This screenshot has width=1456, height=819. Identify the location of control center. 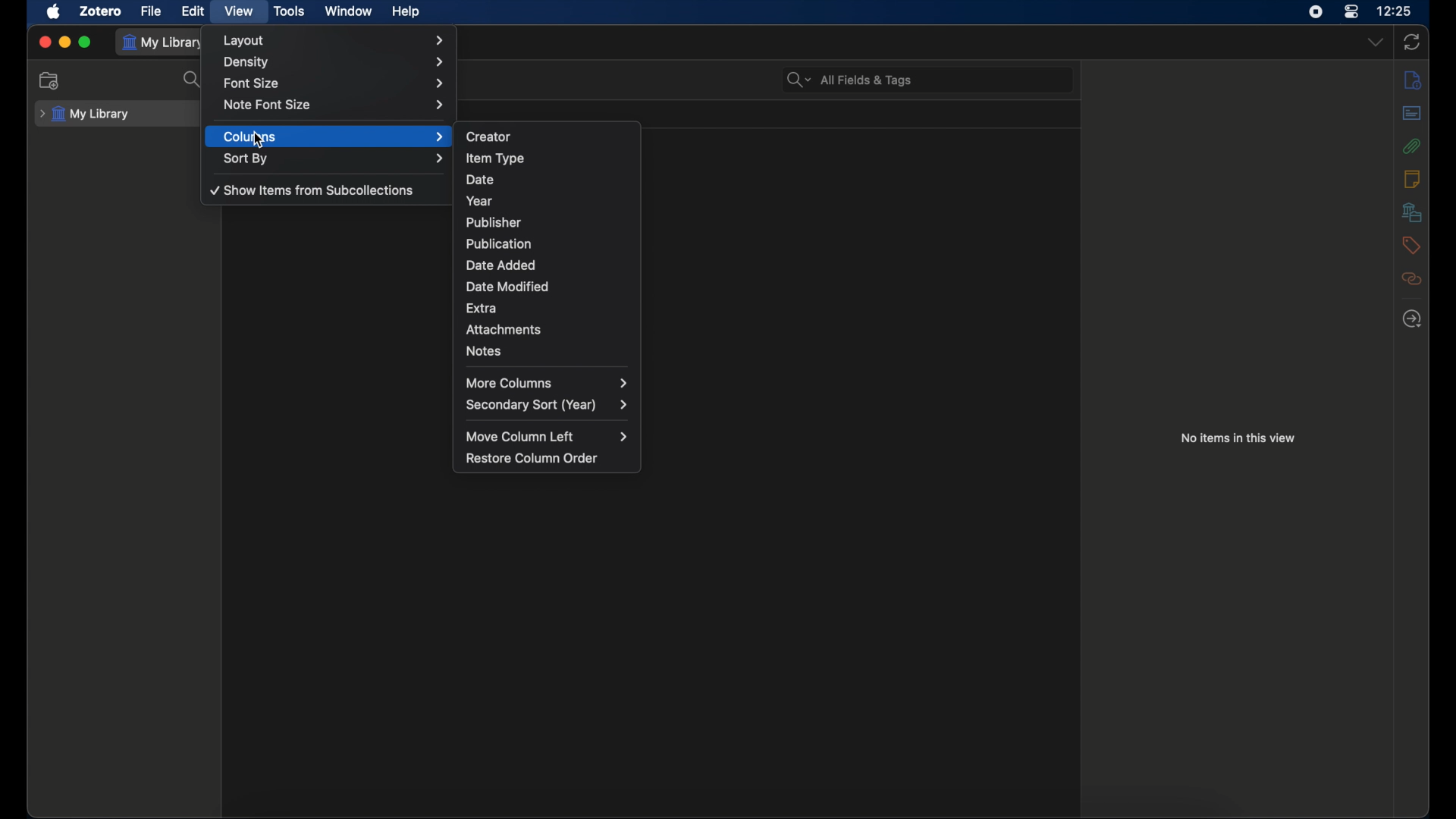
(1352, 11).